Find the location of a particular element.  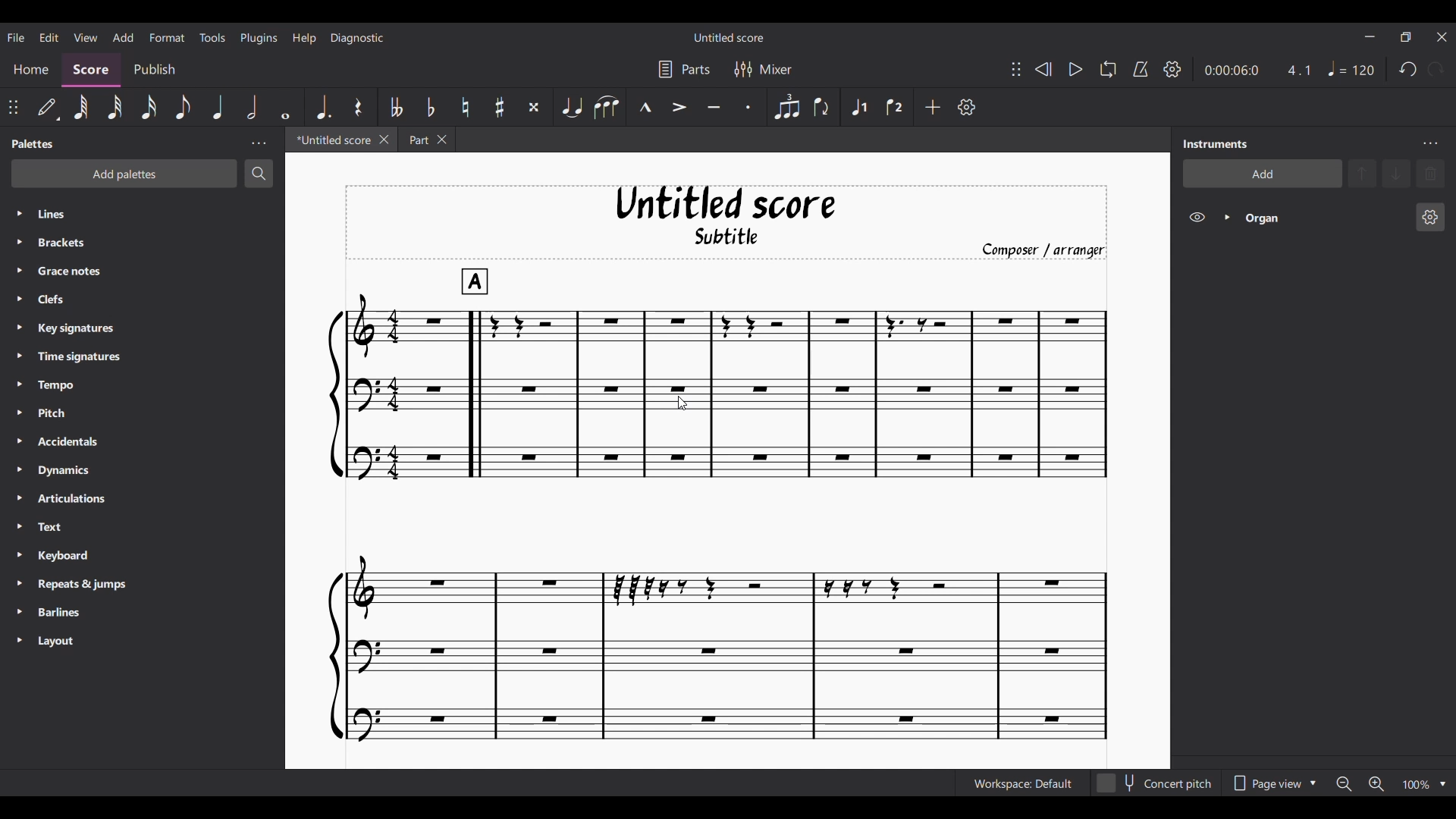

Close Untitled tab is located at coordinates (384, 140).